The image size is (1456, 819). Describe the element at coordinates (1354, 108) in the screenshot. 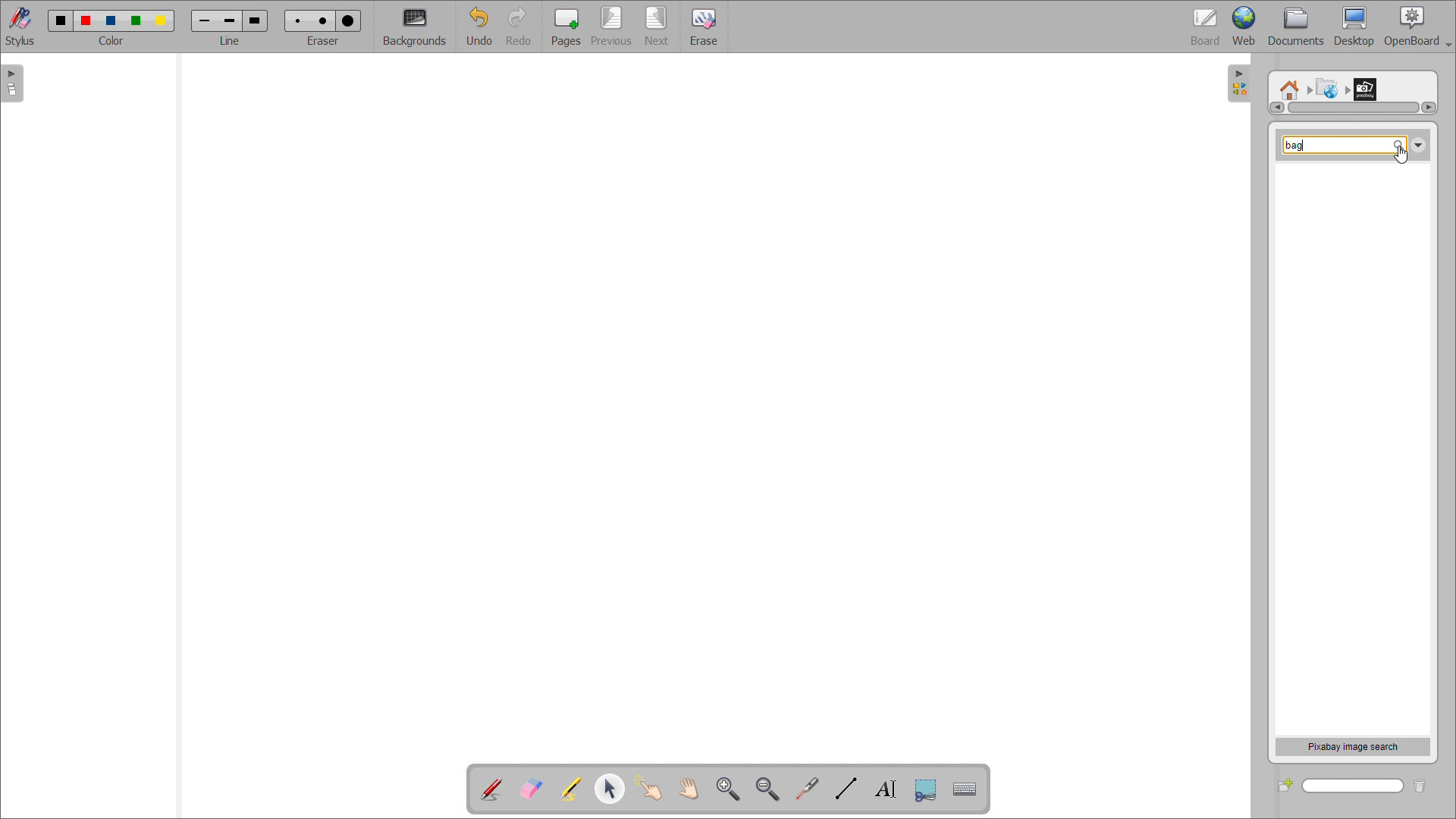

I see `scrollbar` at that location.